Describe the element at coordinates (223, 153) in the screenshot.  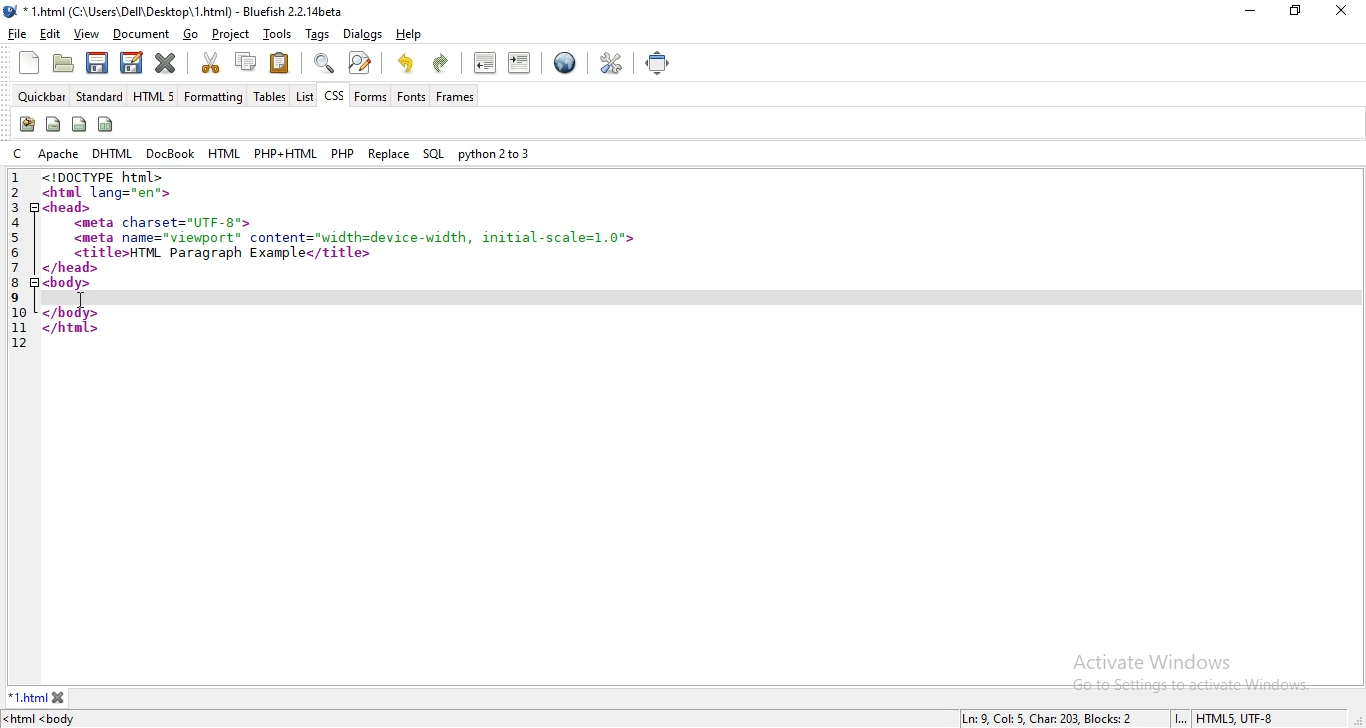
I see `html` at that location.